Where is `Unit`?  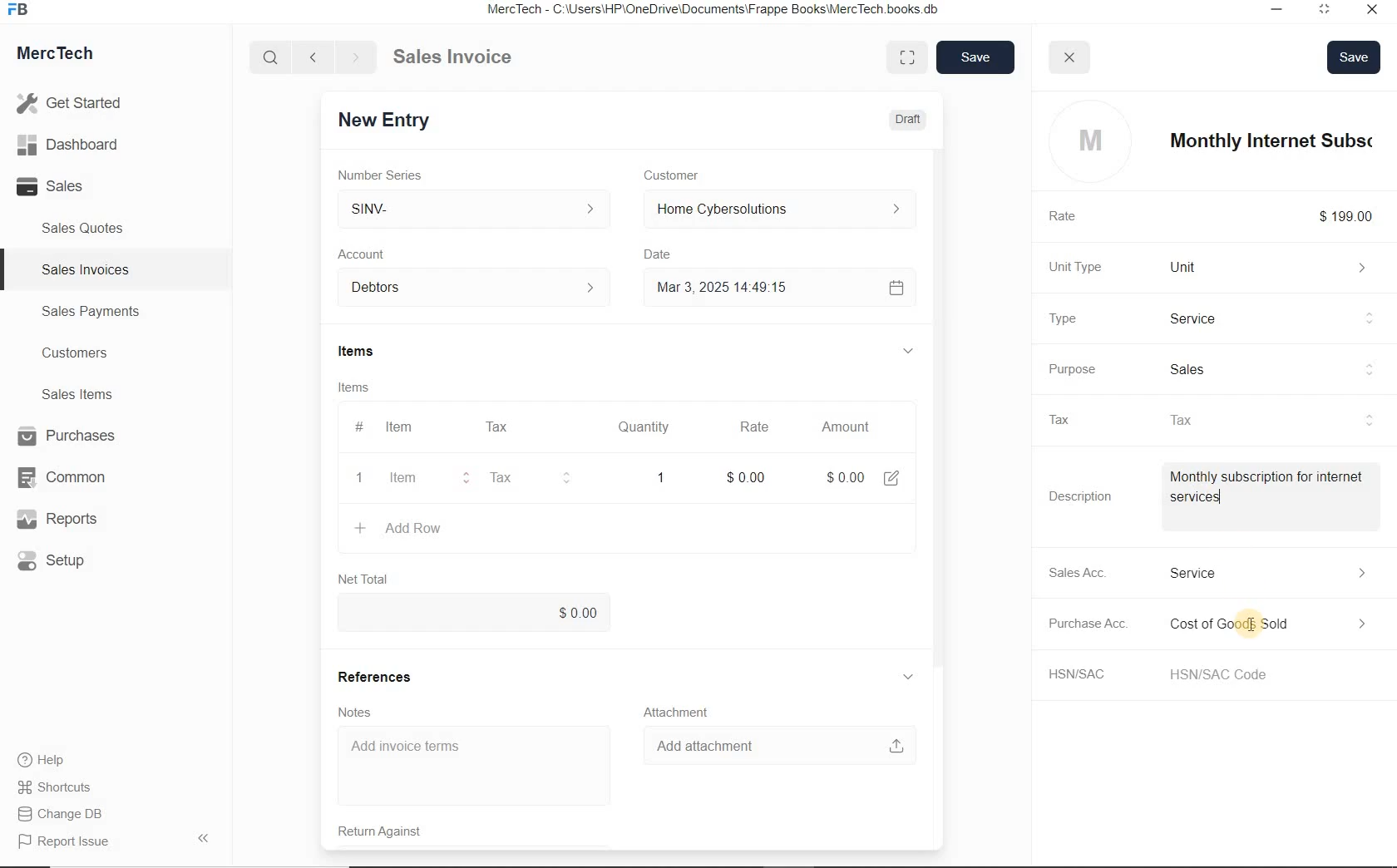
Unit is located at coordinates (1260, 267).